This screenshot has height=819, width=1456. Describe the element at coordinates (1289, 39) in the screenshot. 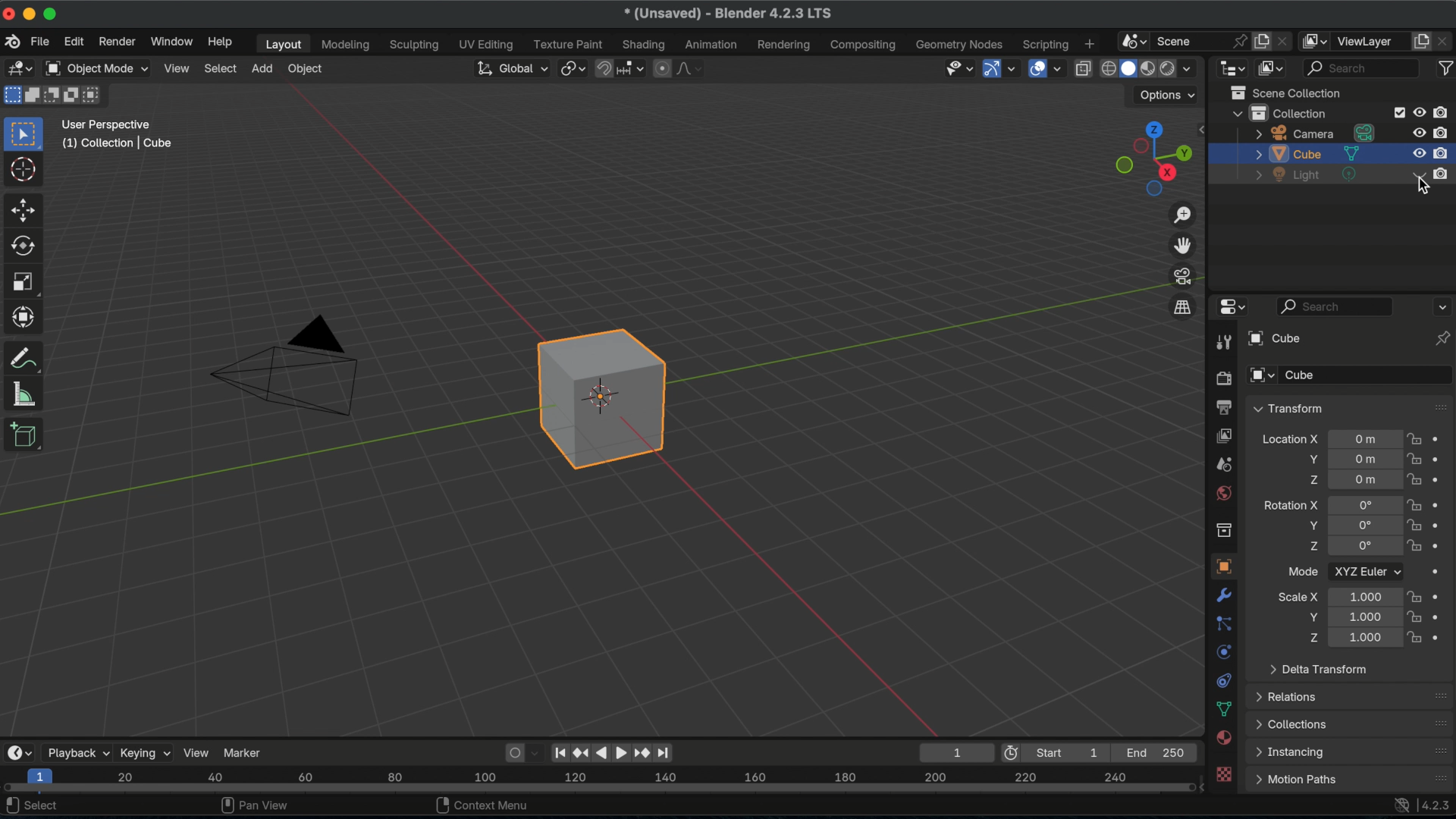

I see `delete scene` at that location.